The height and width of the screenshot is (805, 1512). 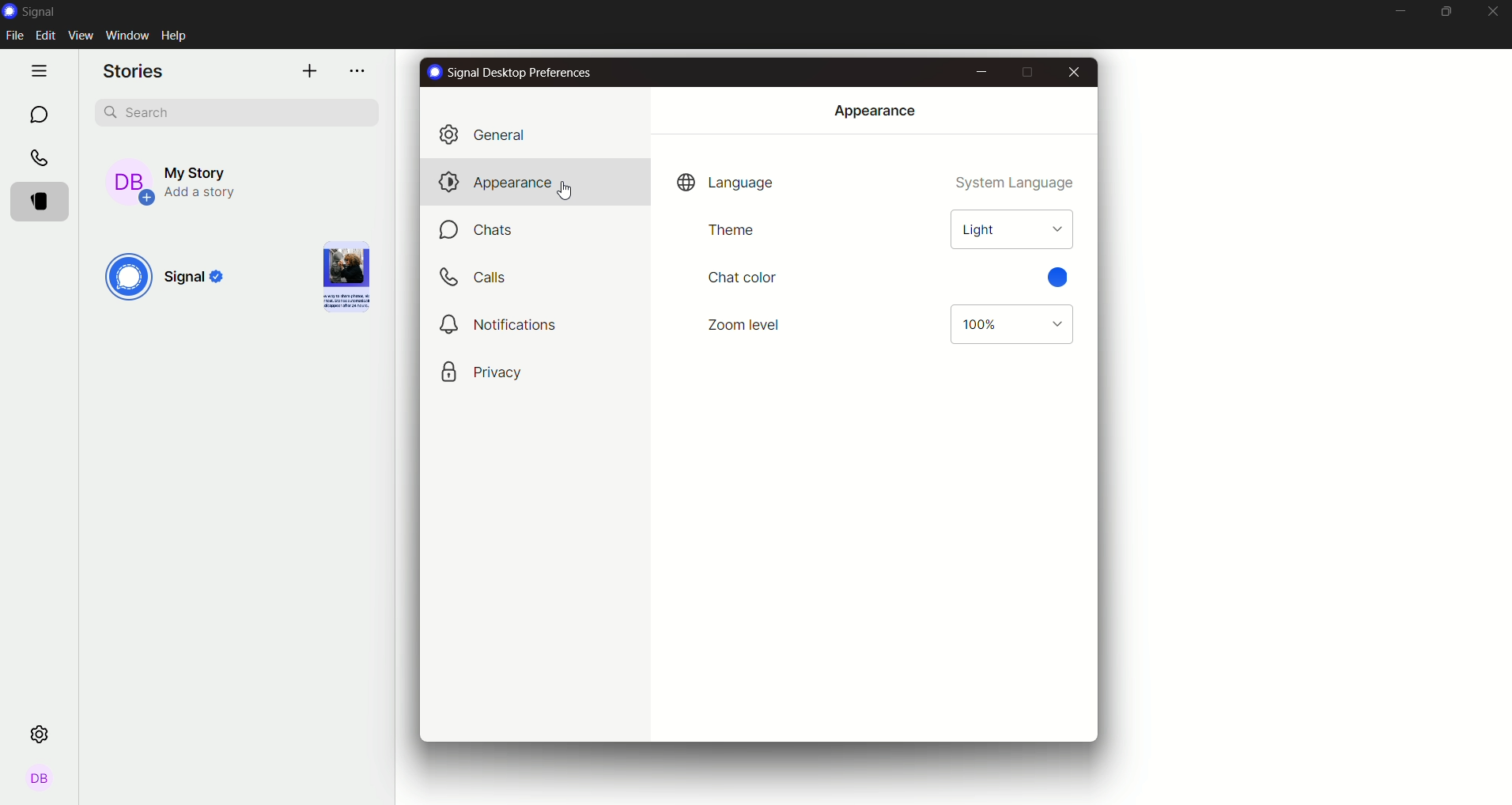 I want to click on chat color, so click(x=742, y=276).